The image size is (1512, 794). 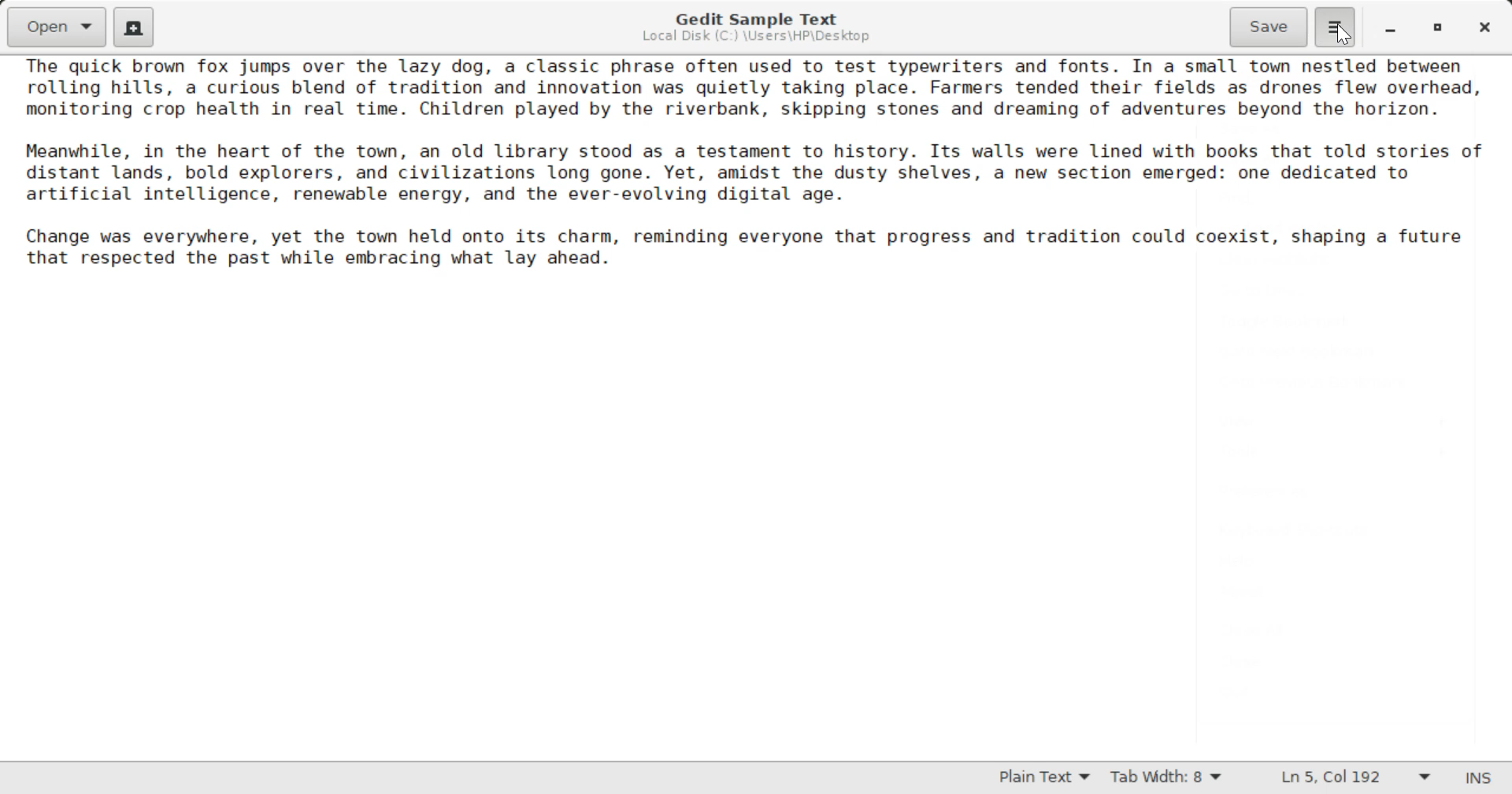 I want to click on File Location, so click(x=754, y=39).